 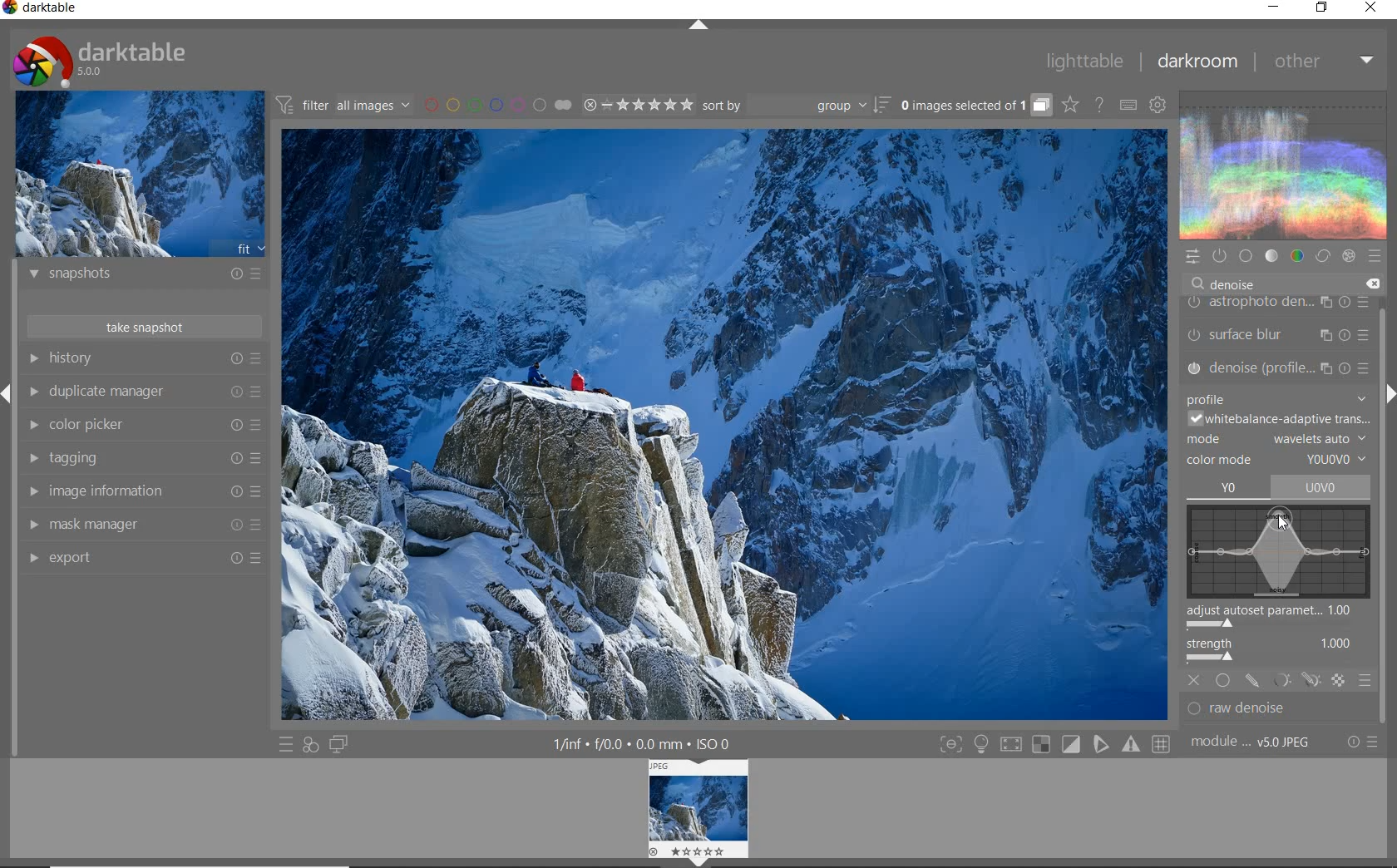 I want to click on tagging, so click(x=143, y=459).